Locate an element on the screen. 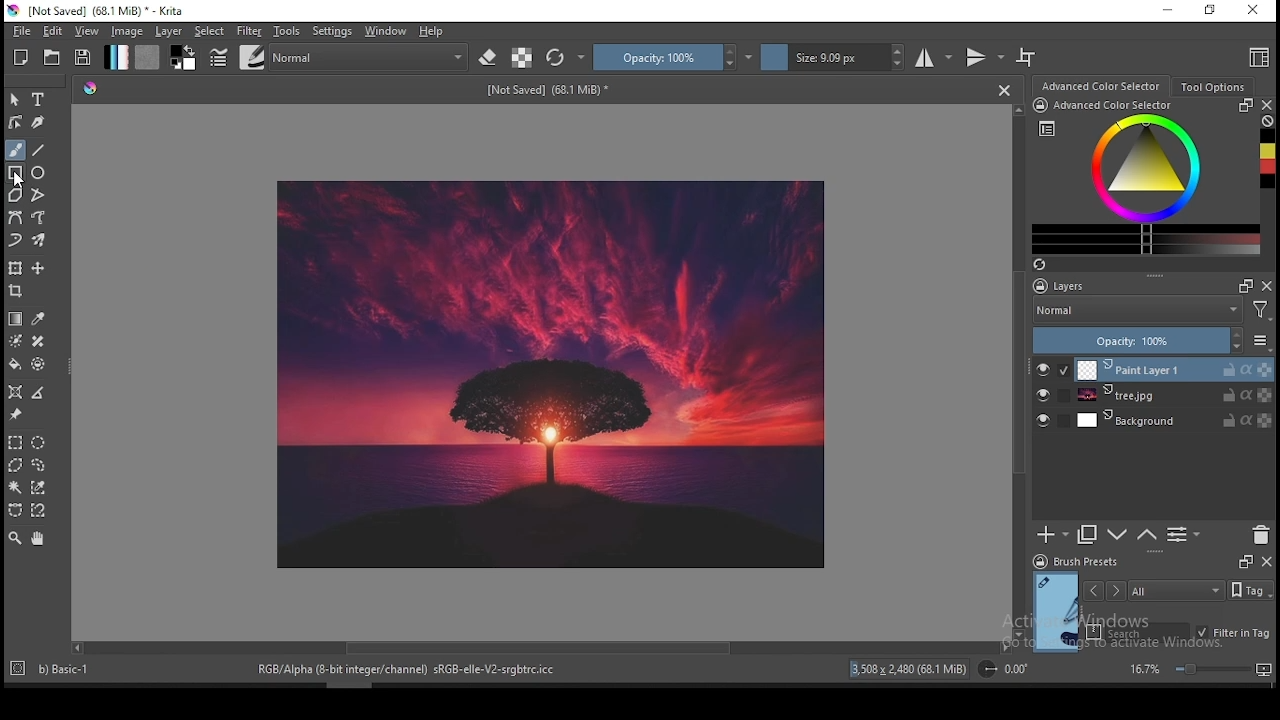 The image size is (1280, 720). set eraser mode is located at coordinates (490, 56).